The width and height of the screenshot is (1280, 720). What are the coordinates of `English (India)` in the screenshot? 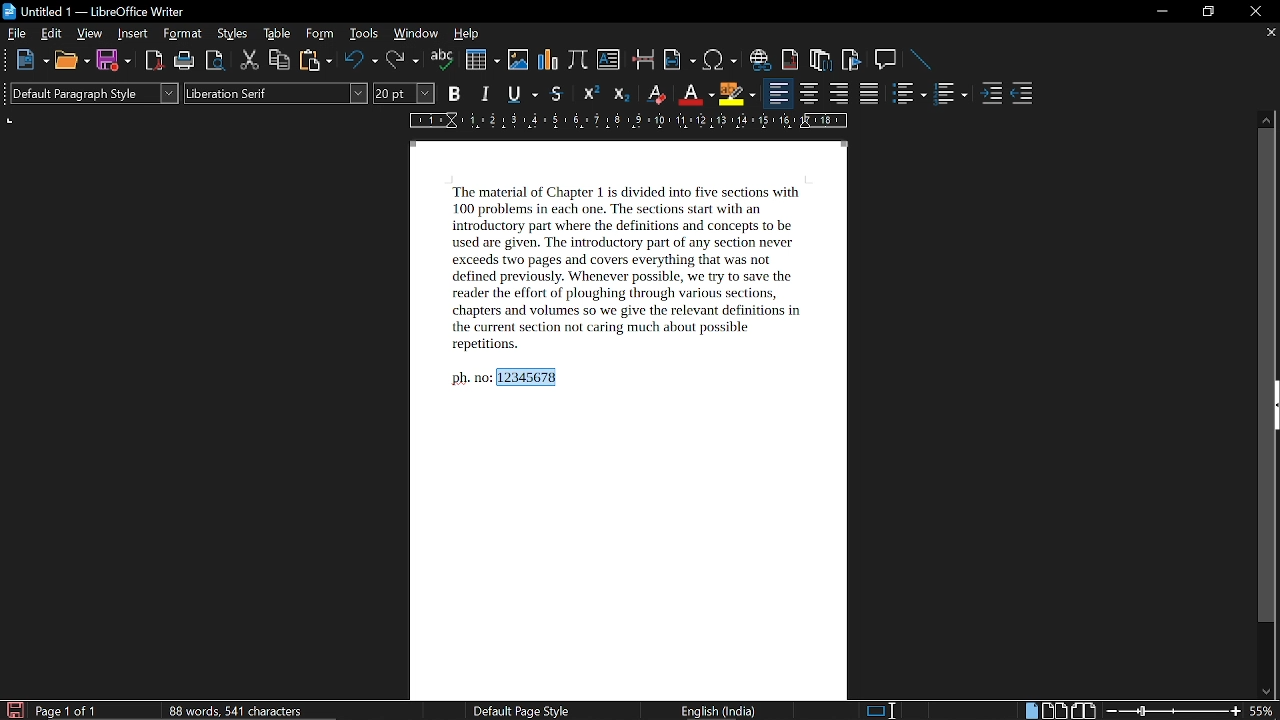 It's located at (721, 712).